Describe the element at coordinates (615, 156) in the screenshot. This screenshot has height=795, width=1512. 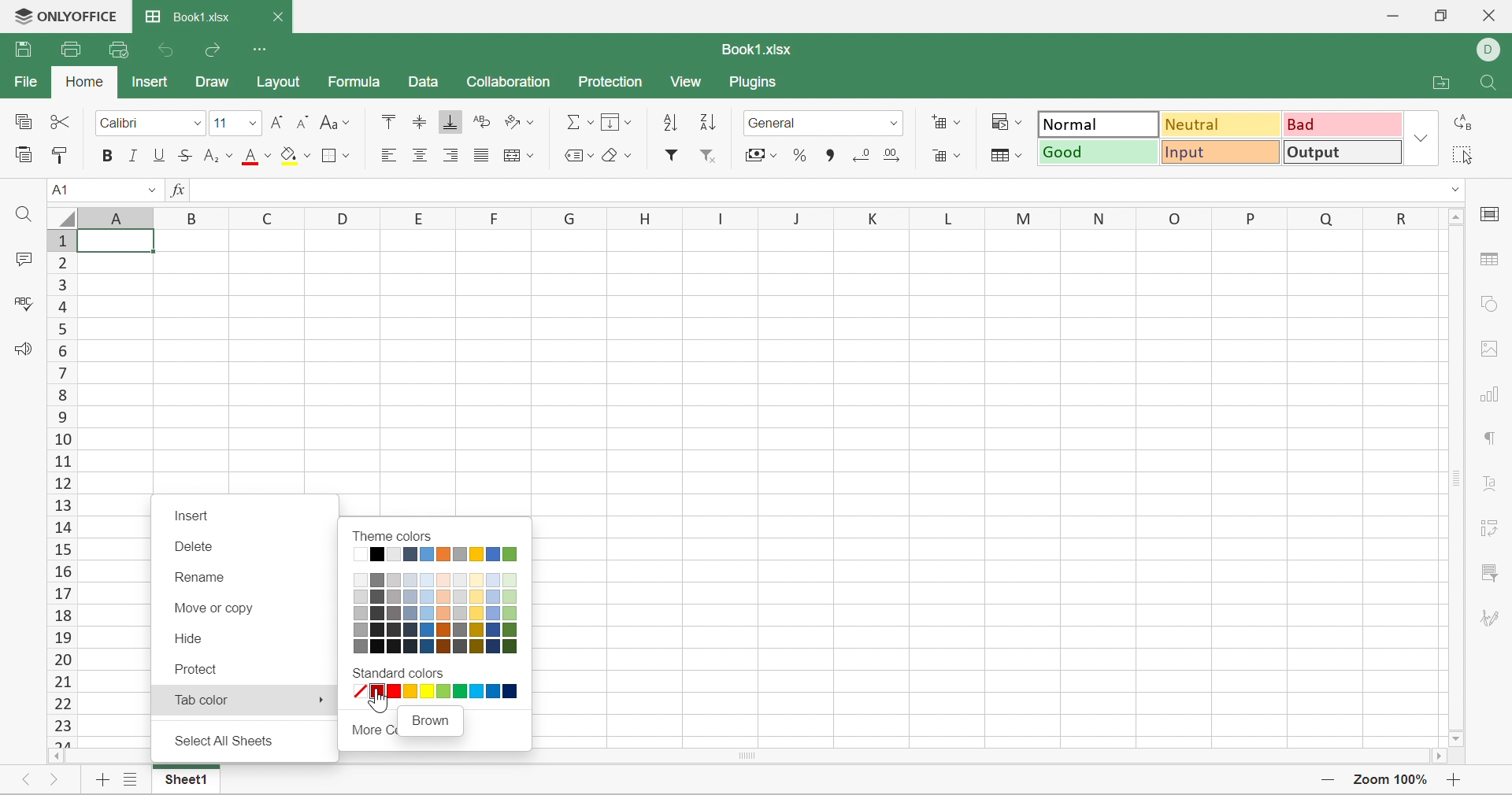
I see `Clear` at that location.